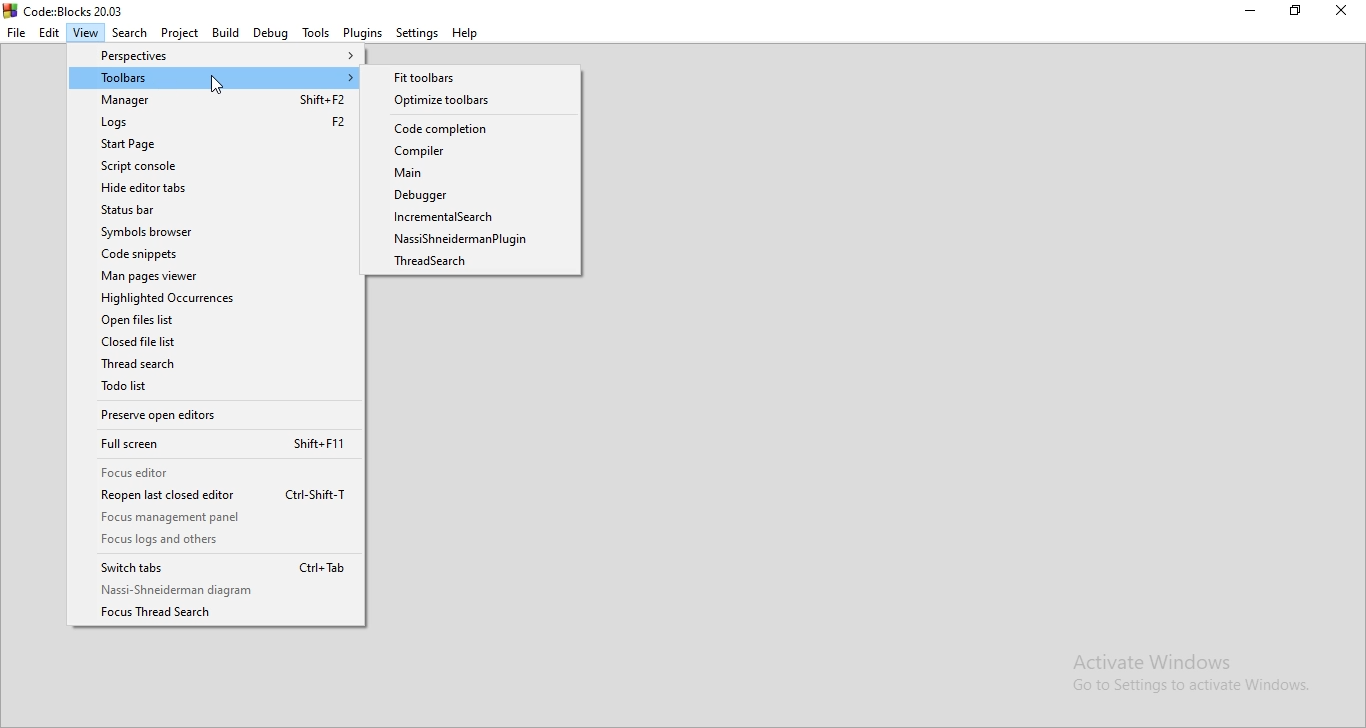  I want to click on Help, so click(466, 32).